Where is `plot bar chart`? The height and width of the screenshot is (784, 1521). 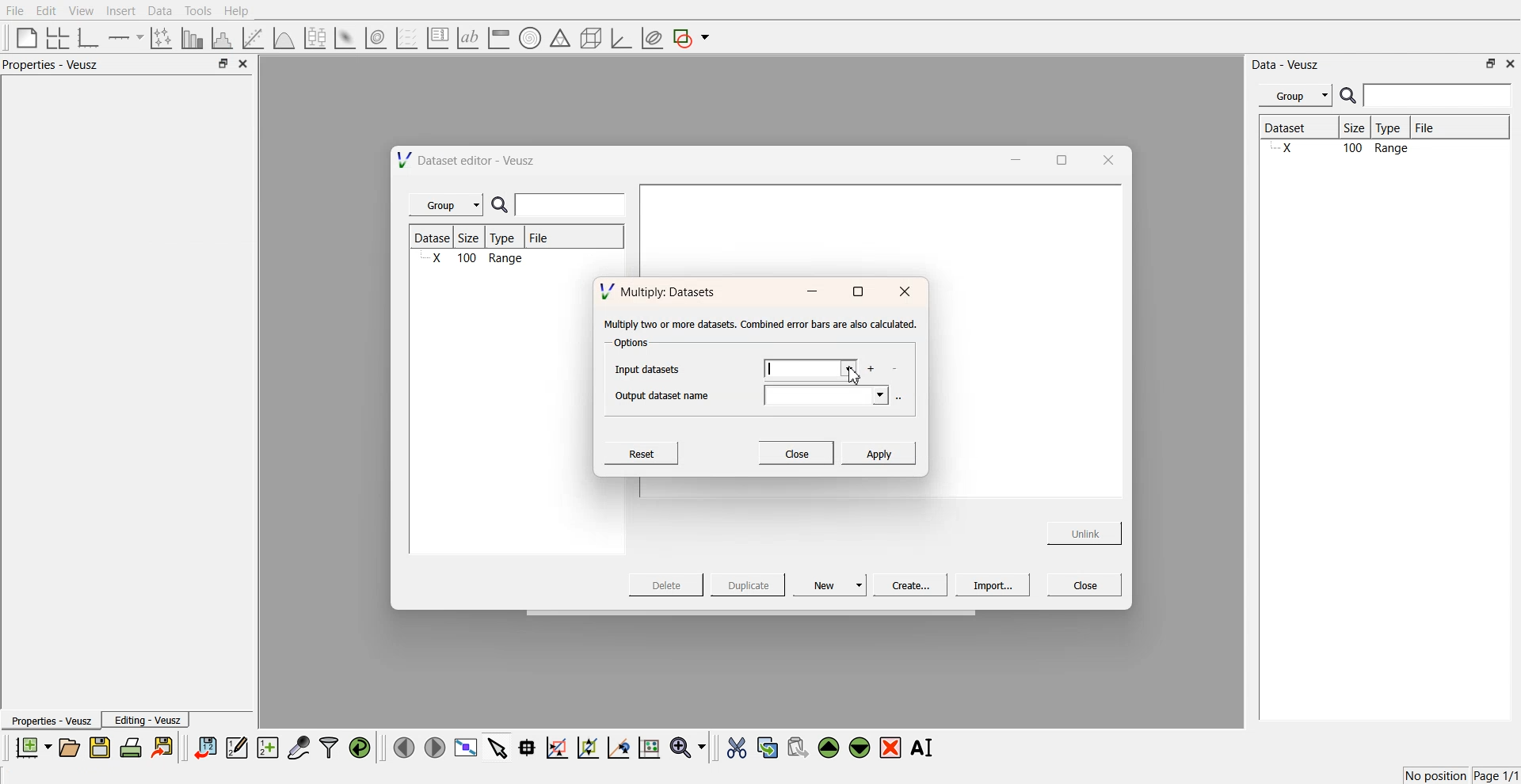
plot bar chart is located at coordinates (192, 39).